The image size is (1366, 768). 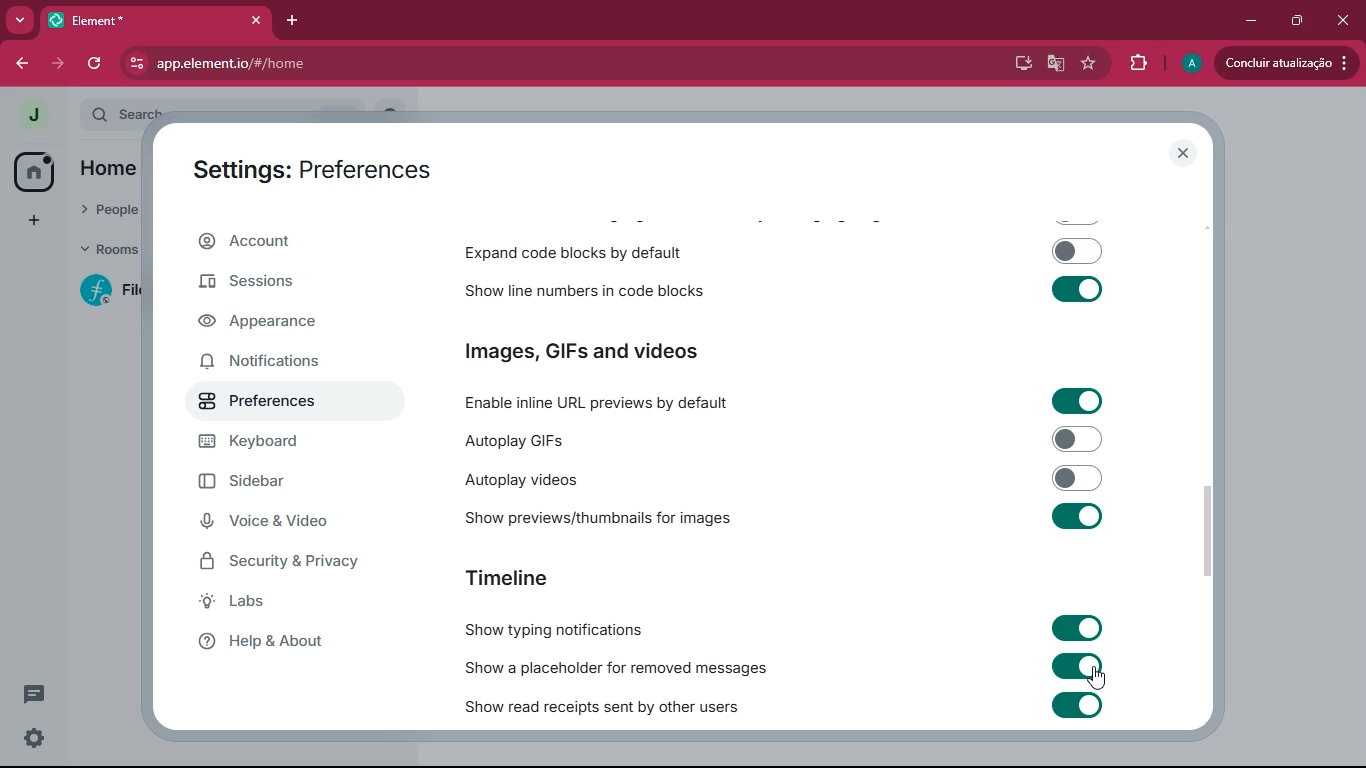 I want to click on close, so click(x=1180, y=152).